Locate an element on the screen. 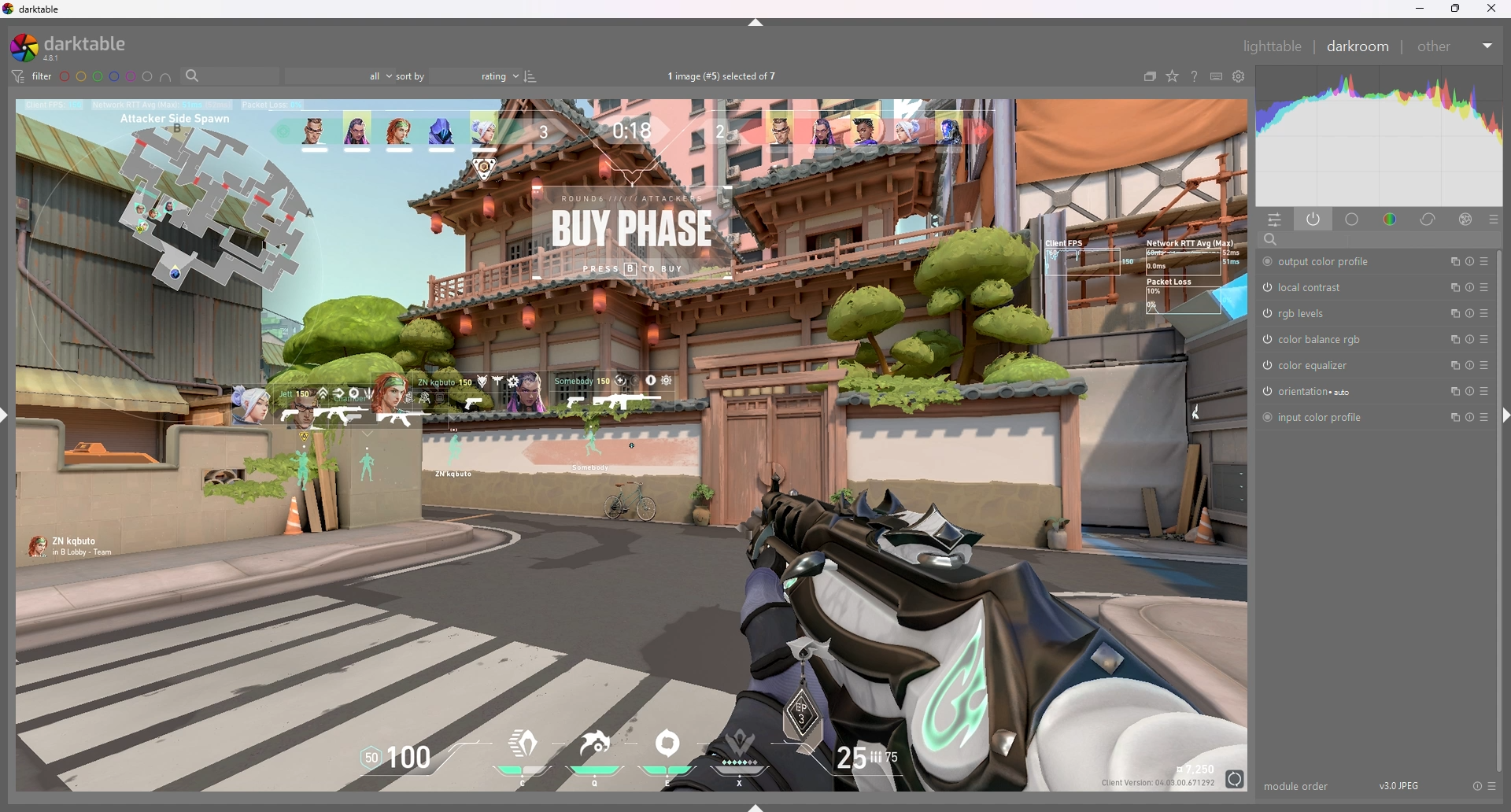  active modules is located at coordinates (1314, 219).